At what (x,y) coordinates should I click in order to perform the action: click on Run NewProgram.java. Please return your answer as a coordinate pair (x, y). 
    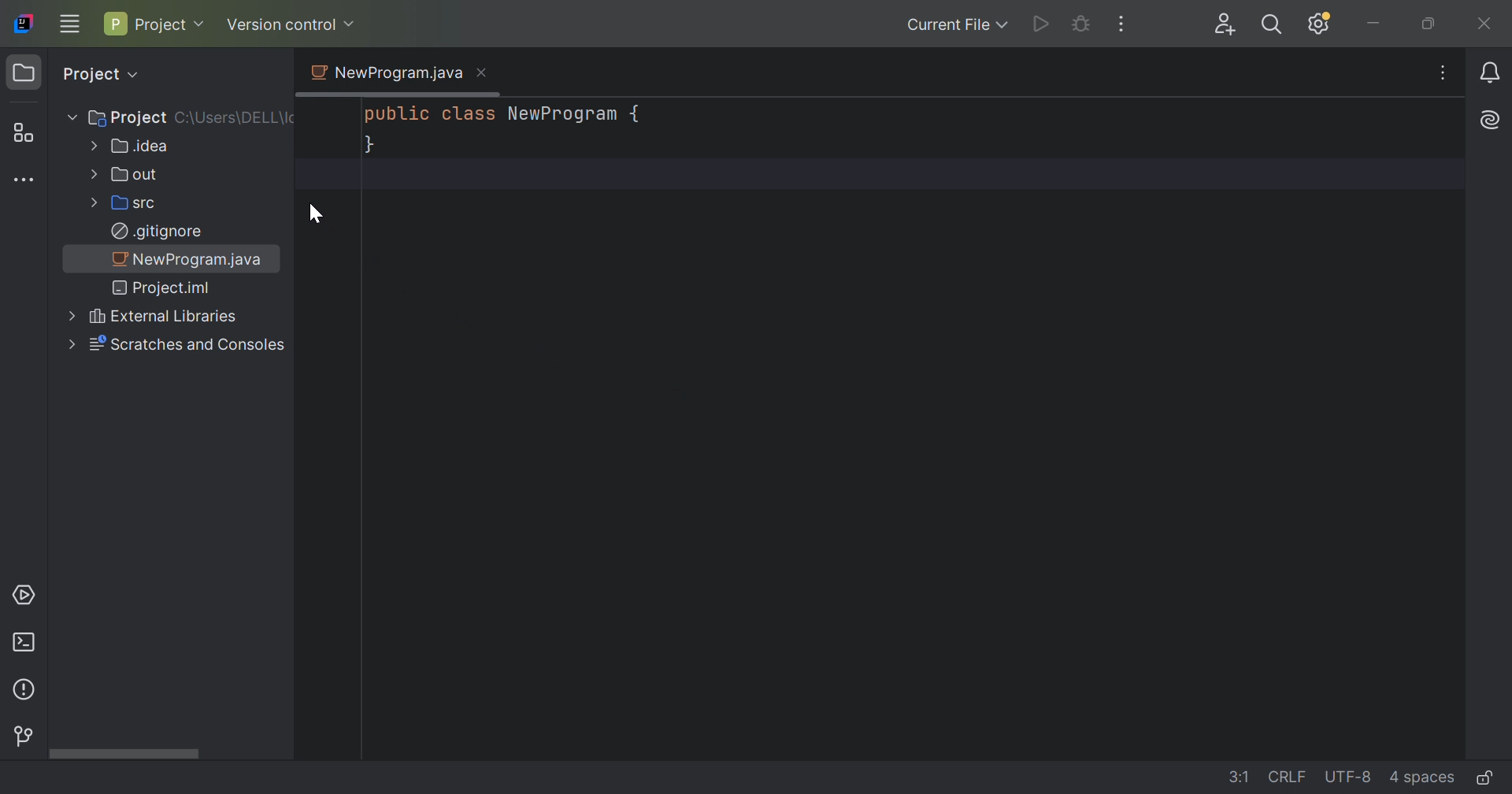
    Looking at the image, I should click on (1041, 25).